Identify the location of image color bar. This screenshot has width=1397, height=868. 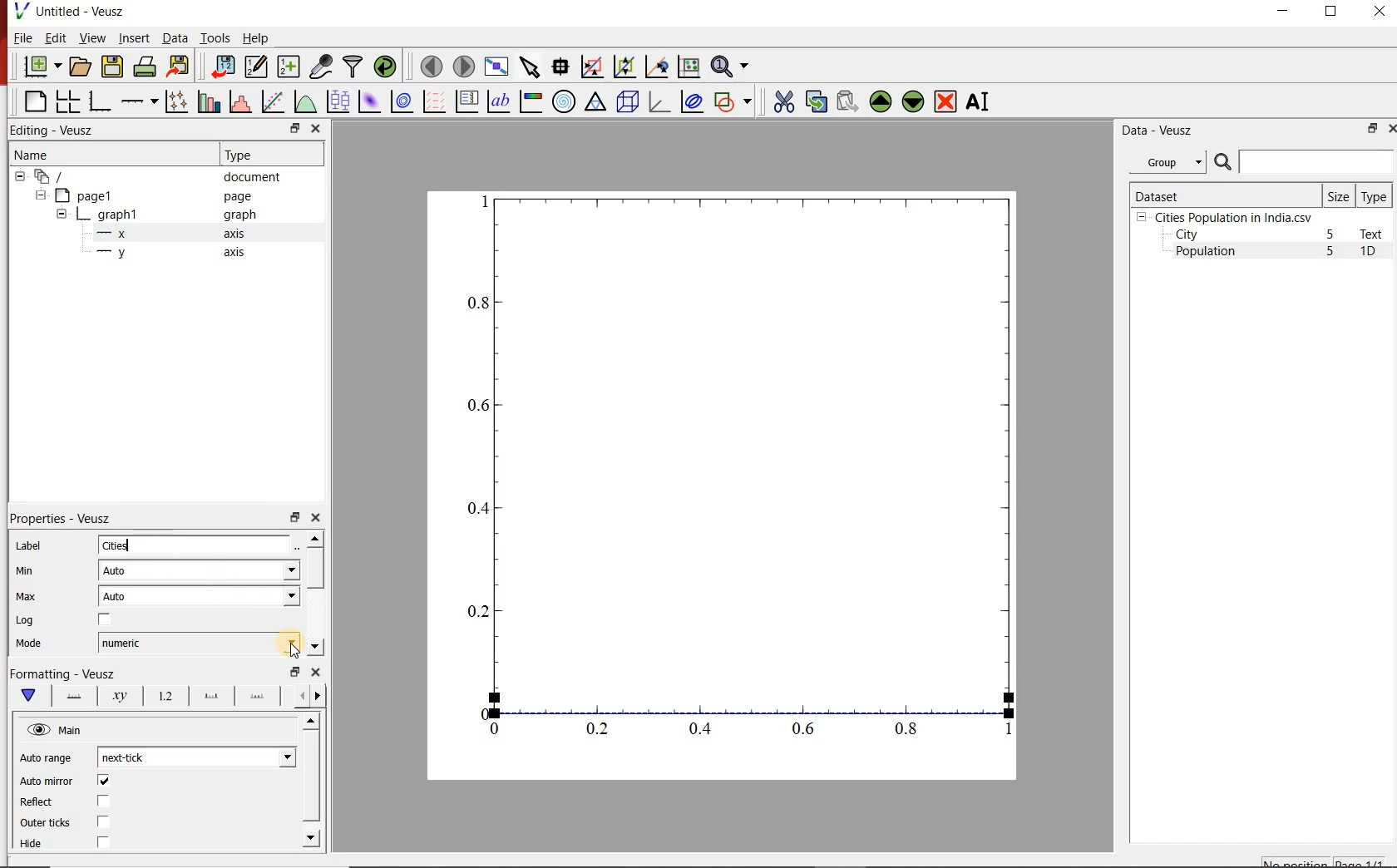
(531, 101).